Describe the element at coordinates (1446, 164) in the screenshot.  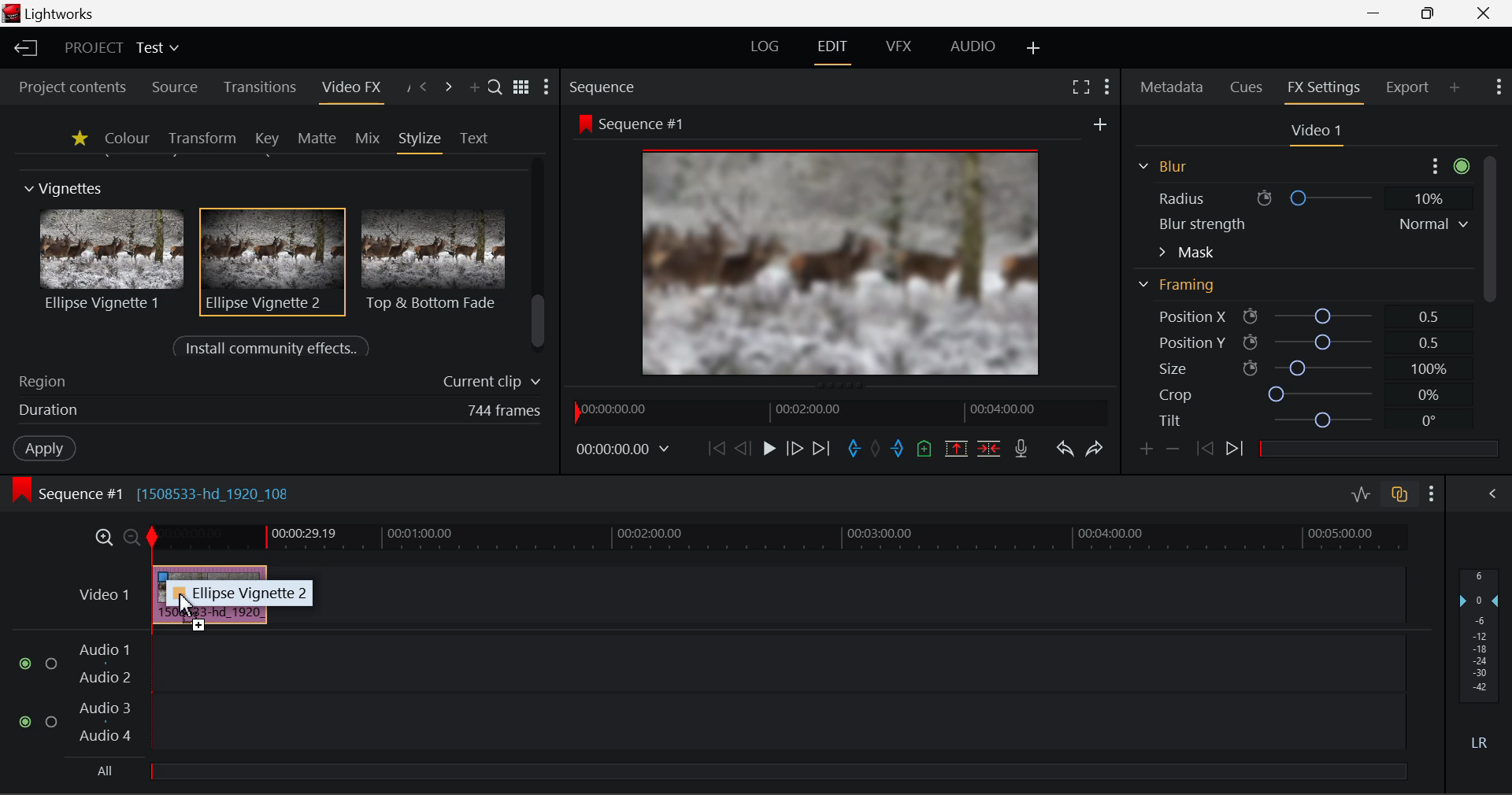
I see `more options` at that location.